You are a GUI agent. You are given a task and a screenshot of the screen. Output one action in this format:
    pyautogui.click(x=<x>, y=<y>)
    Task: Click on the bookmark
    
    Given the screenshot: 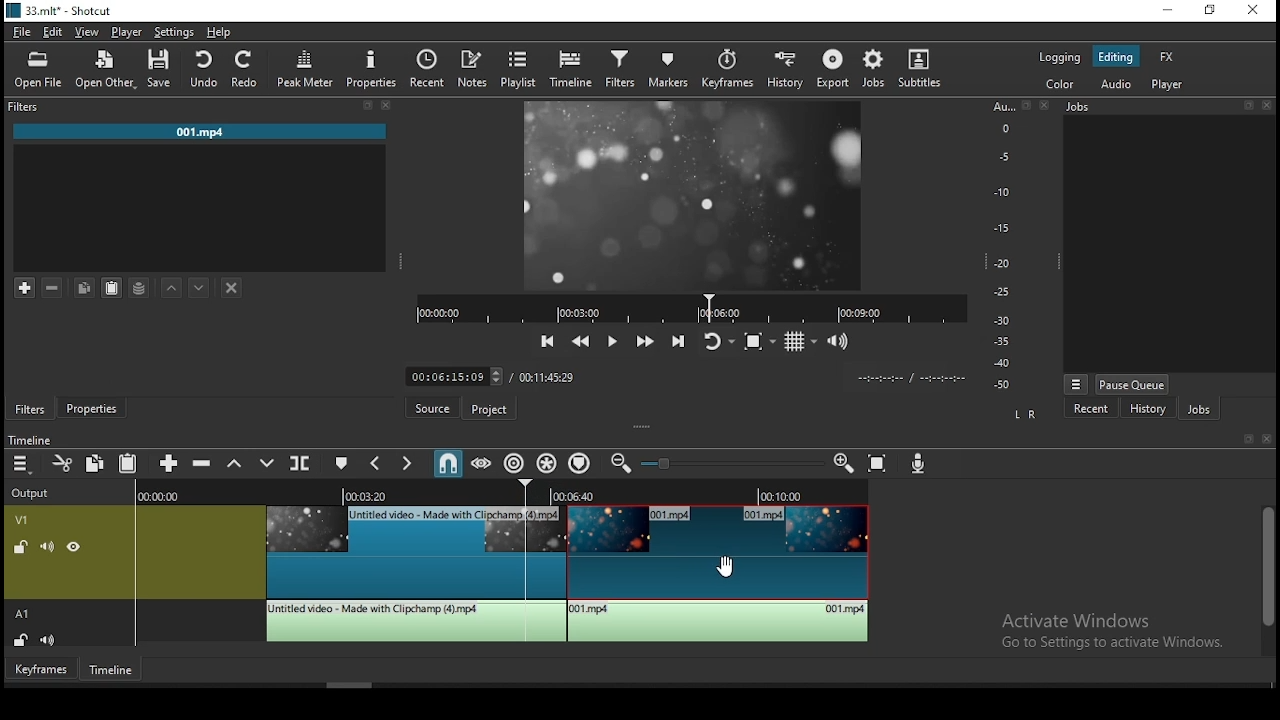 What is the action you would take?
    pyautogui.click(x=1244, y=439)
    